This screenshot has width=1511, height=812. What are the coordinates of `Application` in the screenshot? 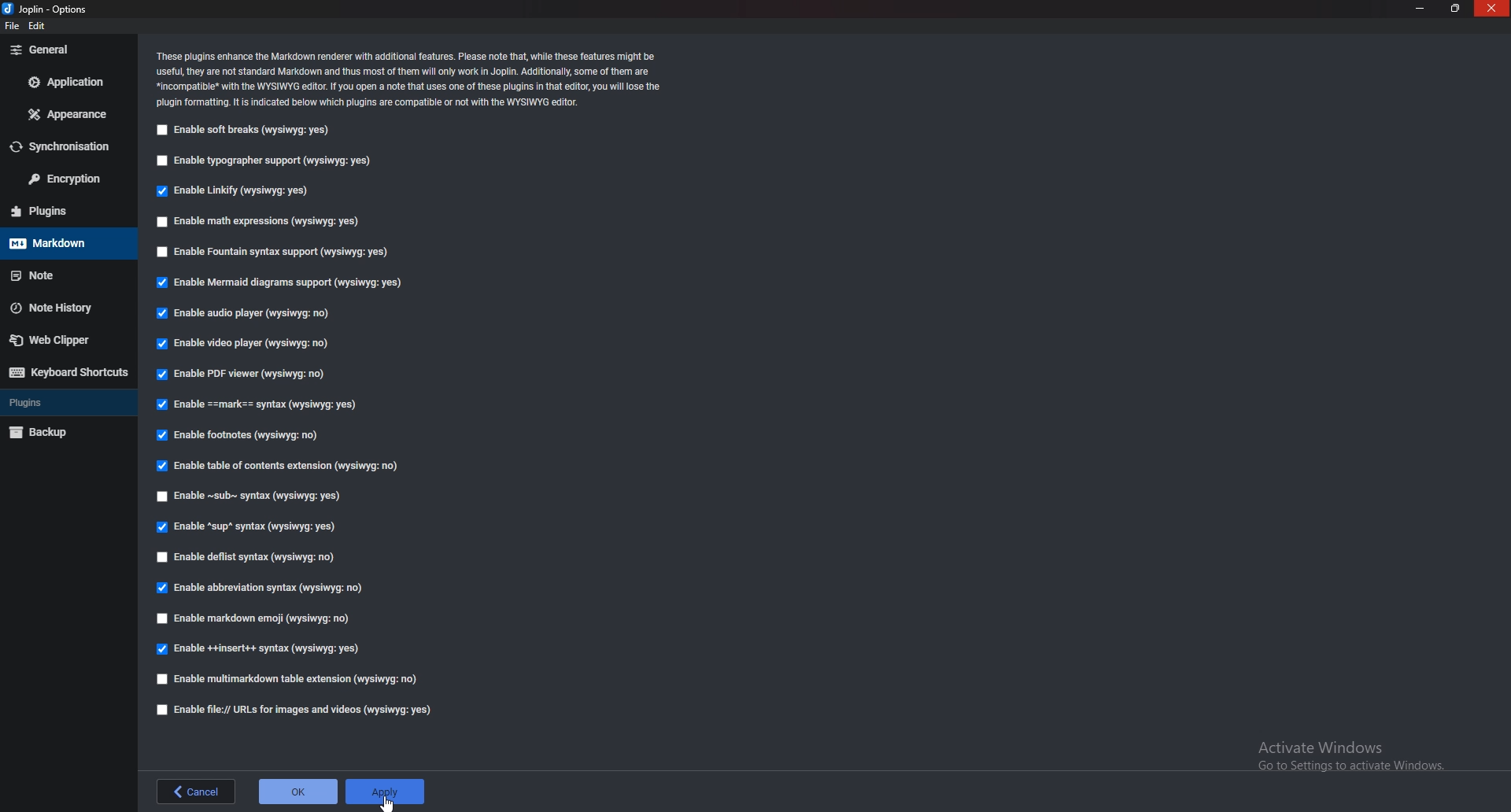 It's located at (69, 80).